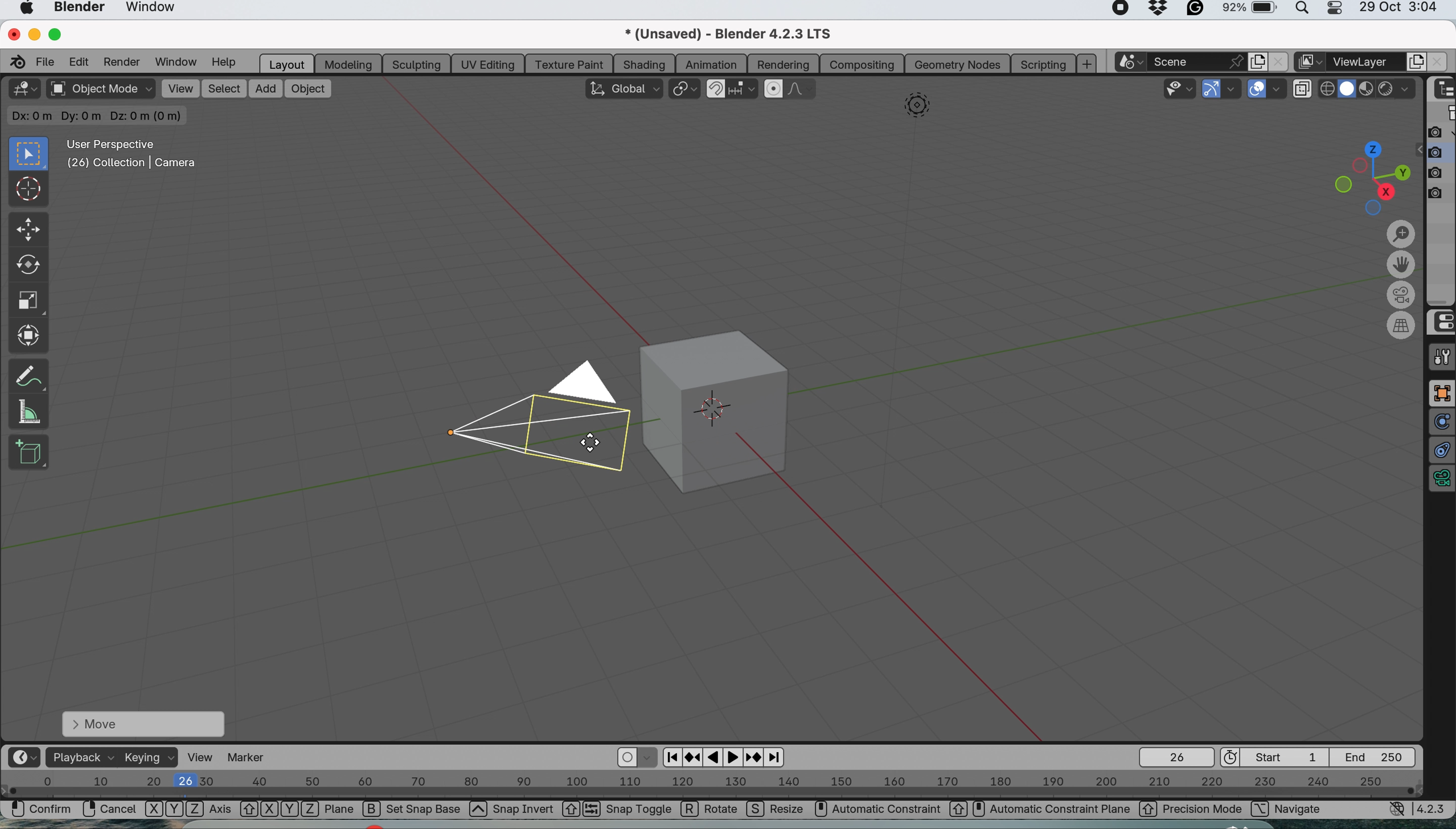 This screenshot has width=1456, height=829. I want to click on auto key framing, so click(649, 757).